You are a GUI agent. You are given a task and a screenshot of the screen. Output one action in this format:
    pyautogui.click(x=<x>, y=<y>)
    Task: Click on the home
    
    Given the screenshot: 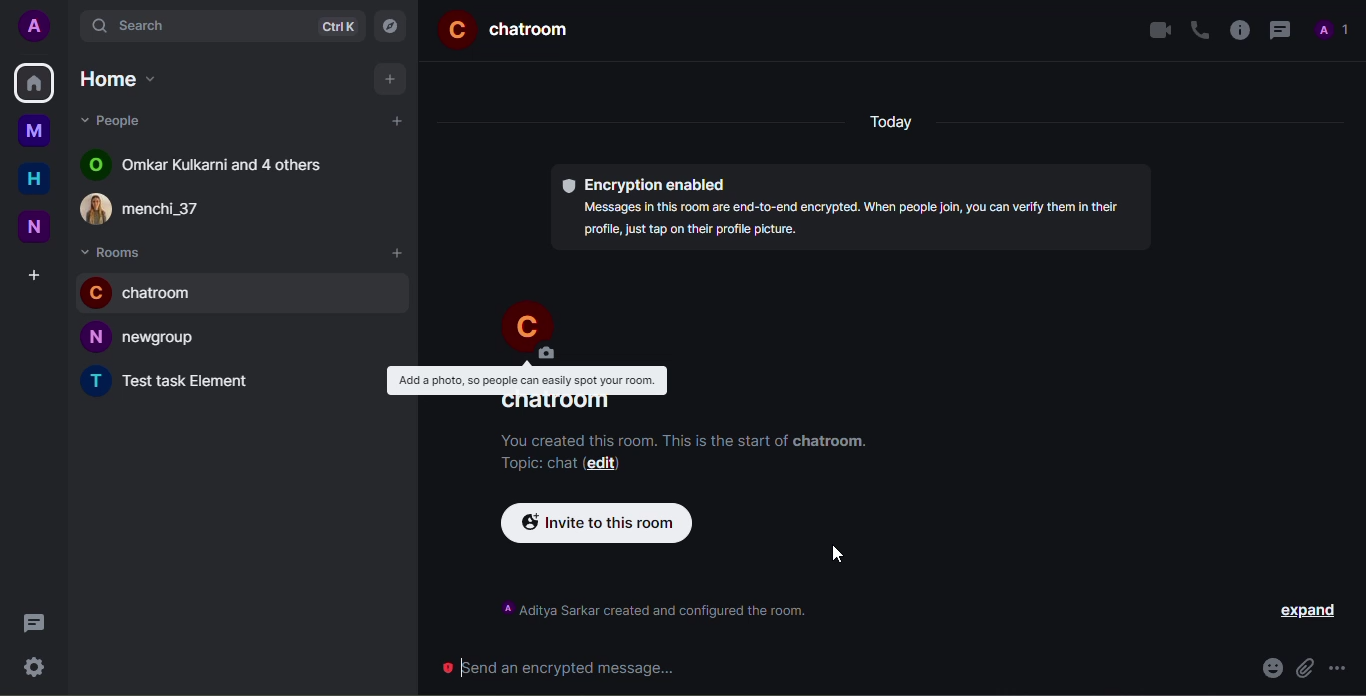 What is the action you would take?
    pyautogui.click(x=34, y=81)
    